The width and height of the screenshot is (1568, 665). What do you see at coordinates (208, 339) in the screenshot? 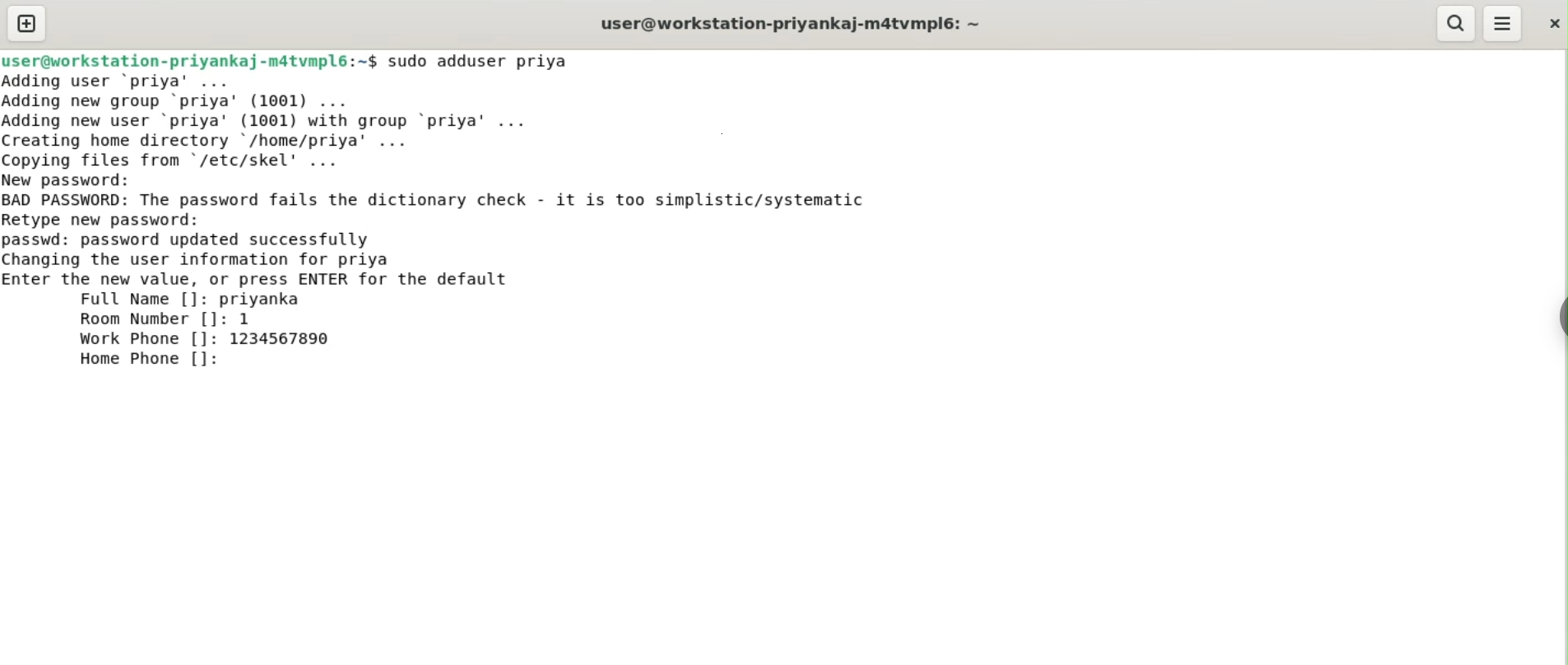
I see `Work Phone []: 1234567890` at bounding box center [208, 339].